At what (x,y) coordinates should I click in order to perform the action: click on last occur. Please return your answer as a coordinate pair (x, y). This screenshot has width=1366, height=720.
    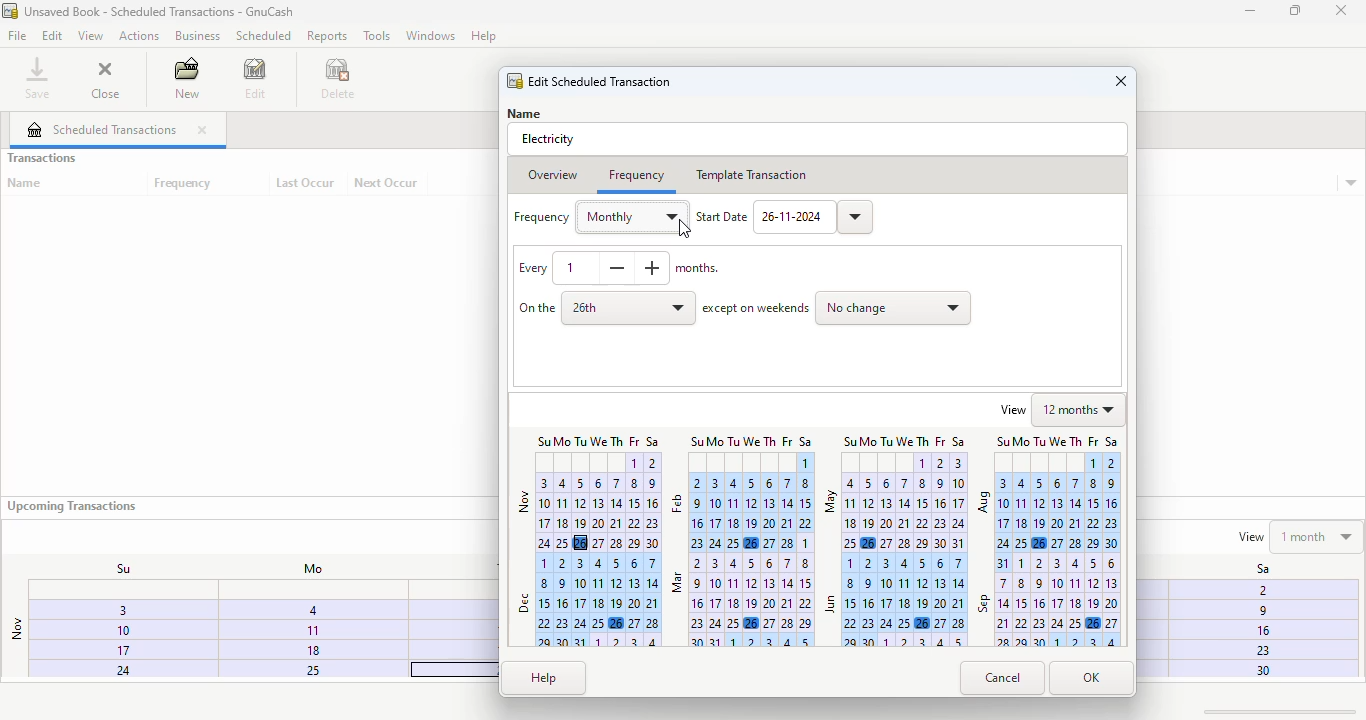
    Looking at the image, I should click on (305, 183).